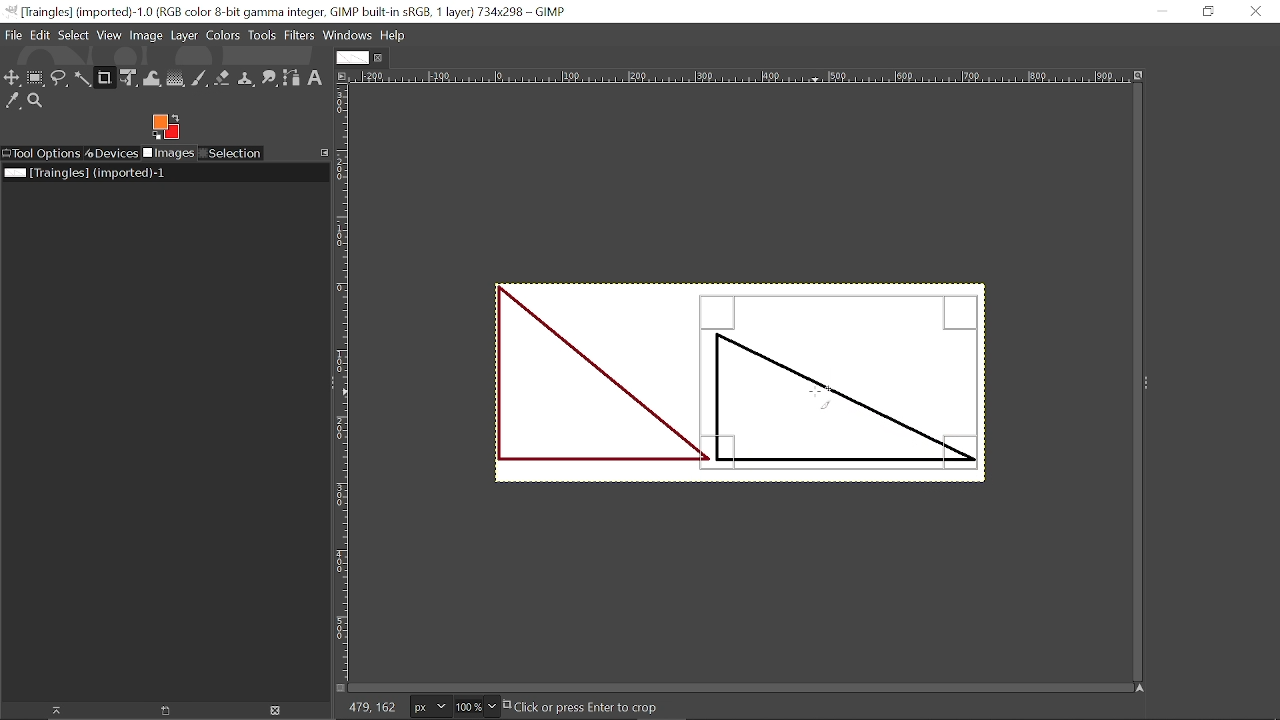 This screenshot has height=720, width=1280. Describe the element at coordinates (36, 101) in the screenshot. I see `Zoom took` at that location.